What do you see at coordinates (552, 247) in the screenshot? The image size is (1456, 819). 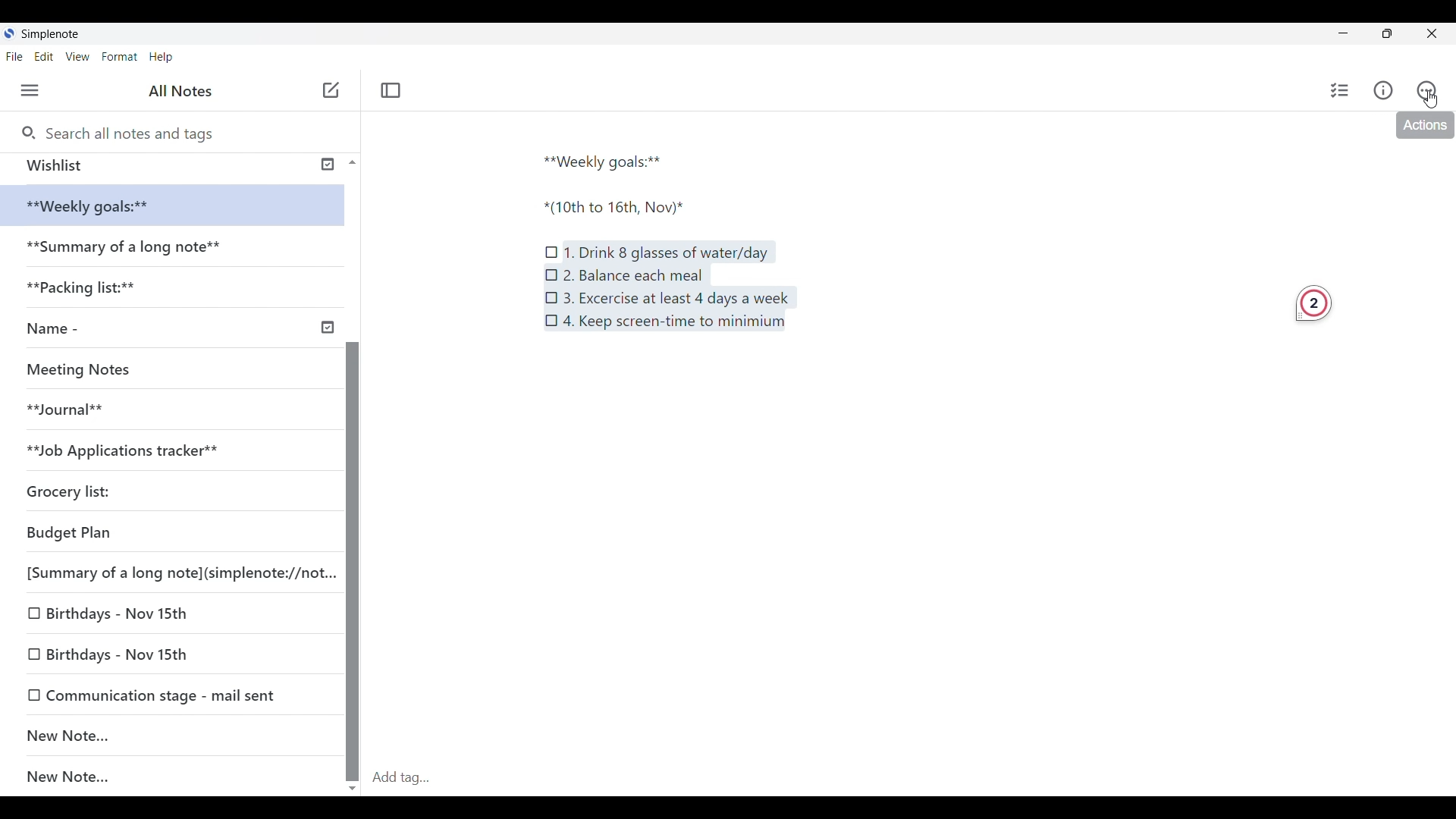 I see `Checklist icon` at bounding box center [552, 247].